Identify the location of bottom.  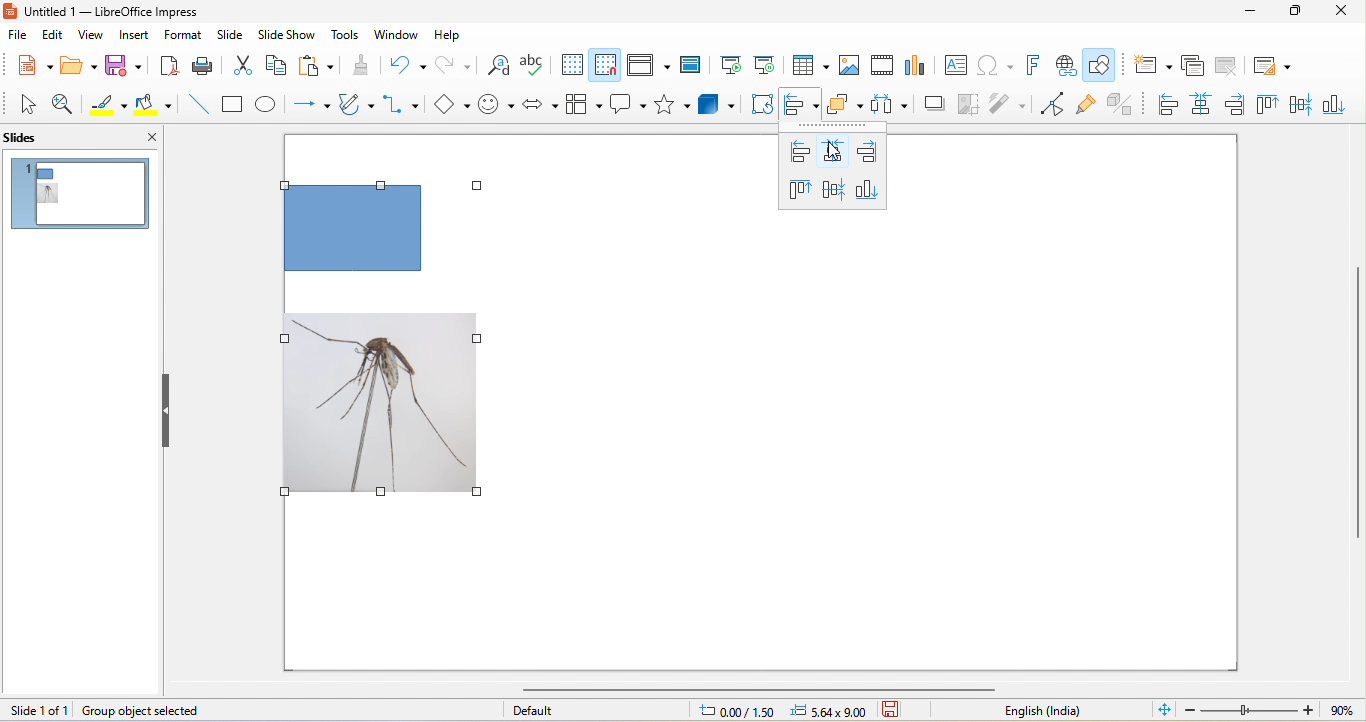
(1338, 109).